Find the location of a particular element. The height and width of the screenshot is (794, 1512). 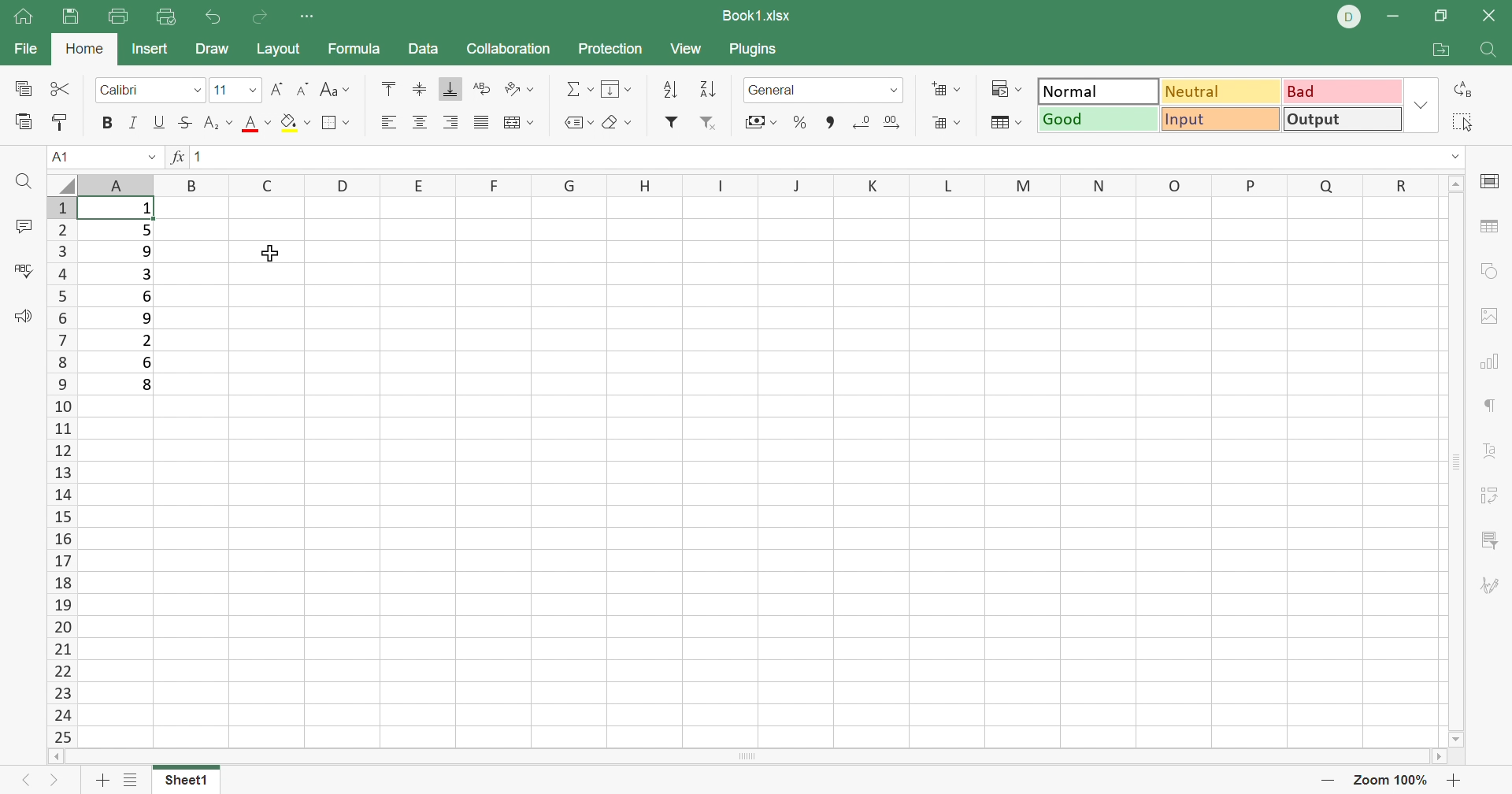

Find is located at coordinates (1494, 50).